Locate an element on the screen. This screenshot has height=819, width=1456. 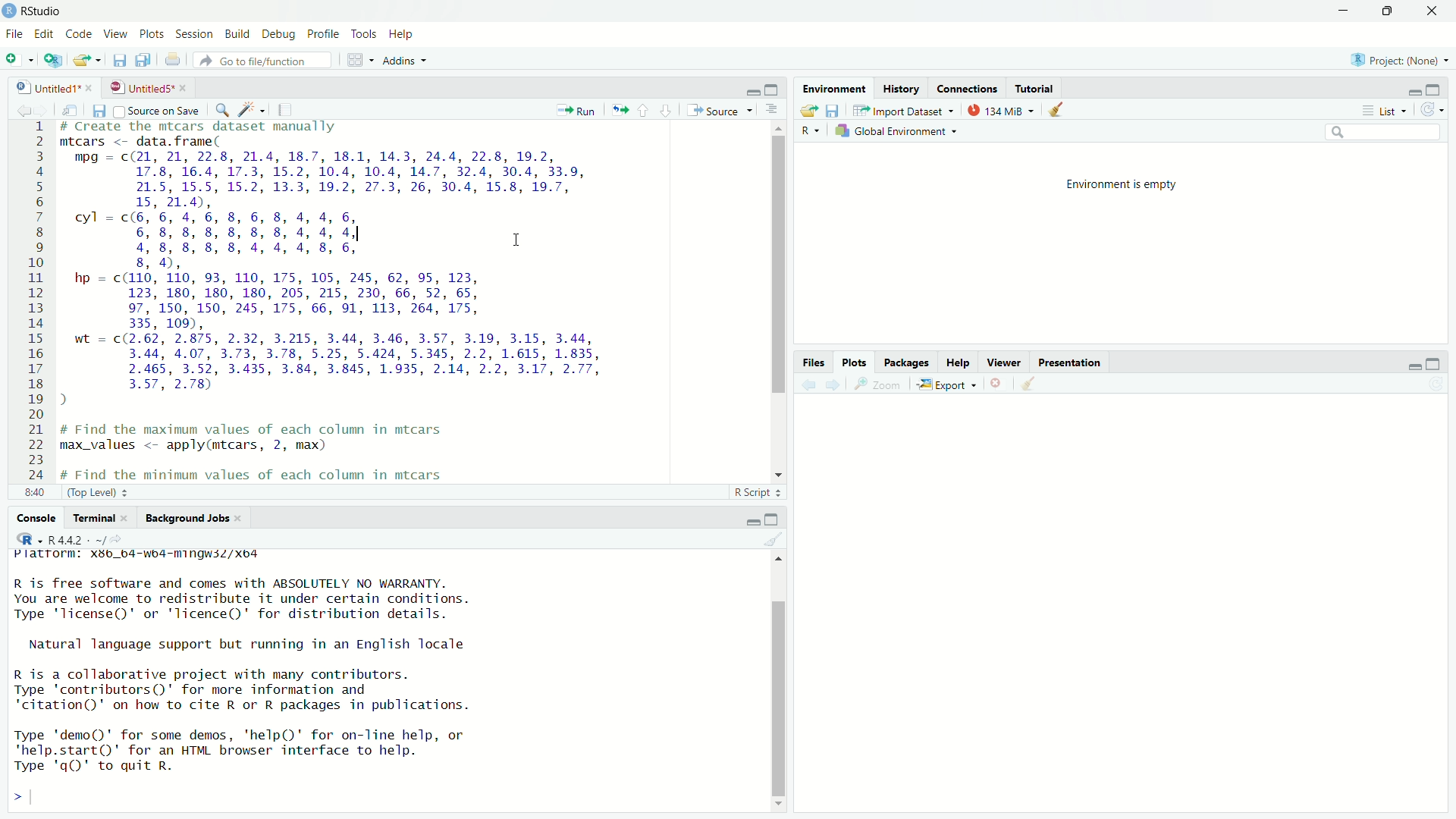
files is located at coordinates (839, 112).